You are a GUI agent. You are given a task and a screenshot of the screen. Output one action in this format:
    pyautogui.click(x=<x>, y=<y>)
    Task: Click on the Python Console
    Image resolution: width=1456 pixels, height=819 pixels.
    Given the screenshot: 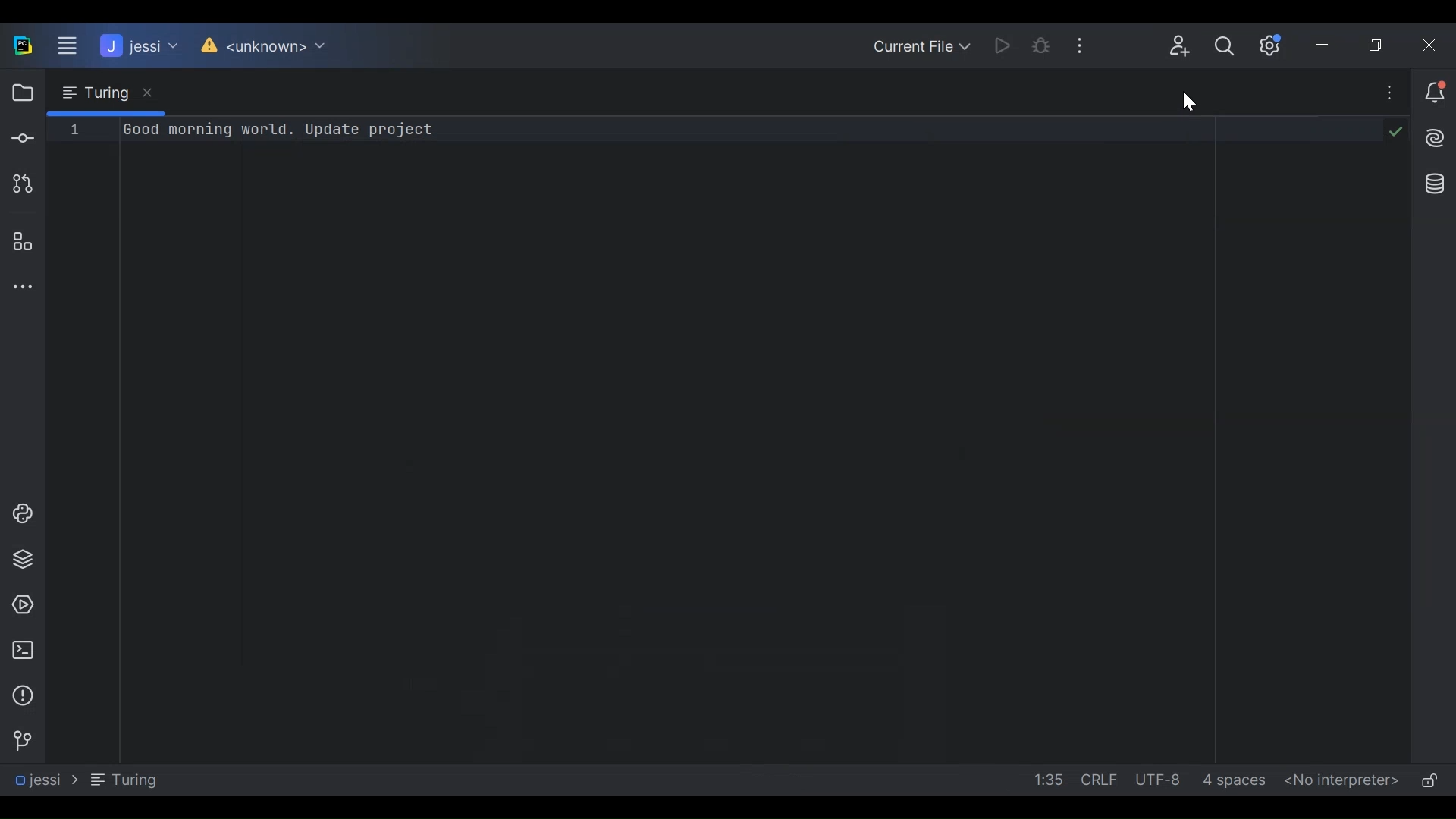 What is the action you would take?
    pyautogui.click(x=19, y=513)
    